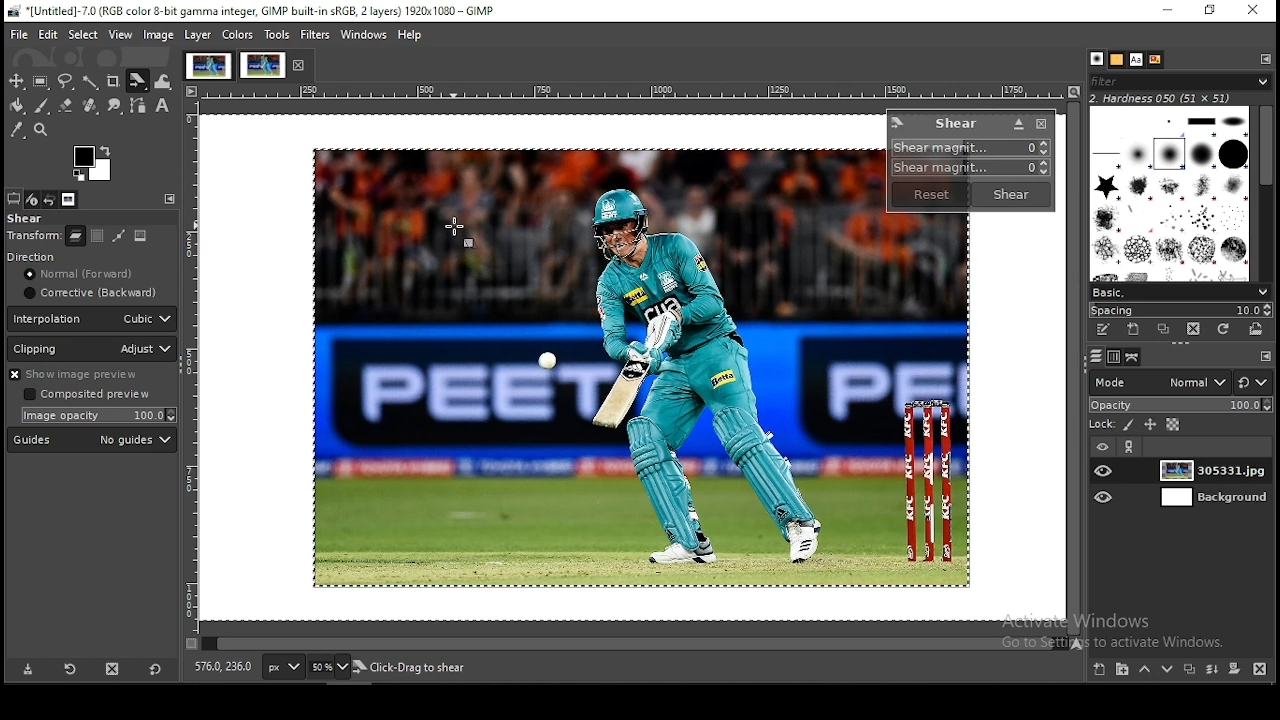 This screenshot has width=1280, height=720. What do you see at coordinates (34, 237) in the screenshot?
I see `transform` at bounding box center [34, 237].